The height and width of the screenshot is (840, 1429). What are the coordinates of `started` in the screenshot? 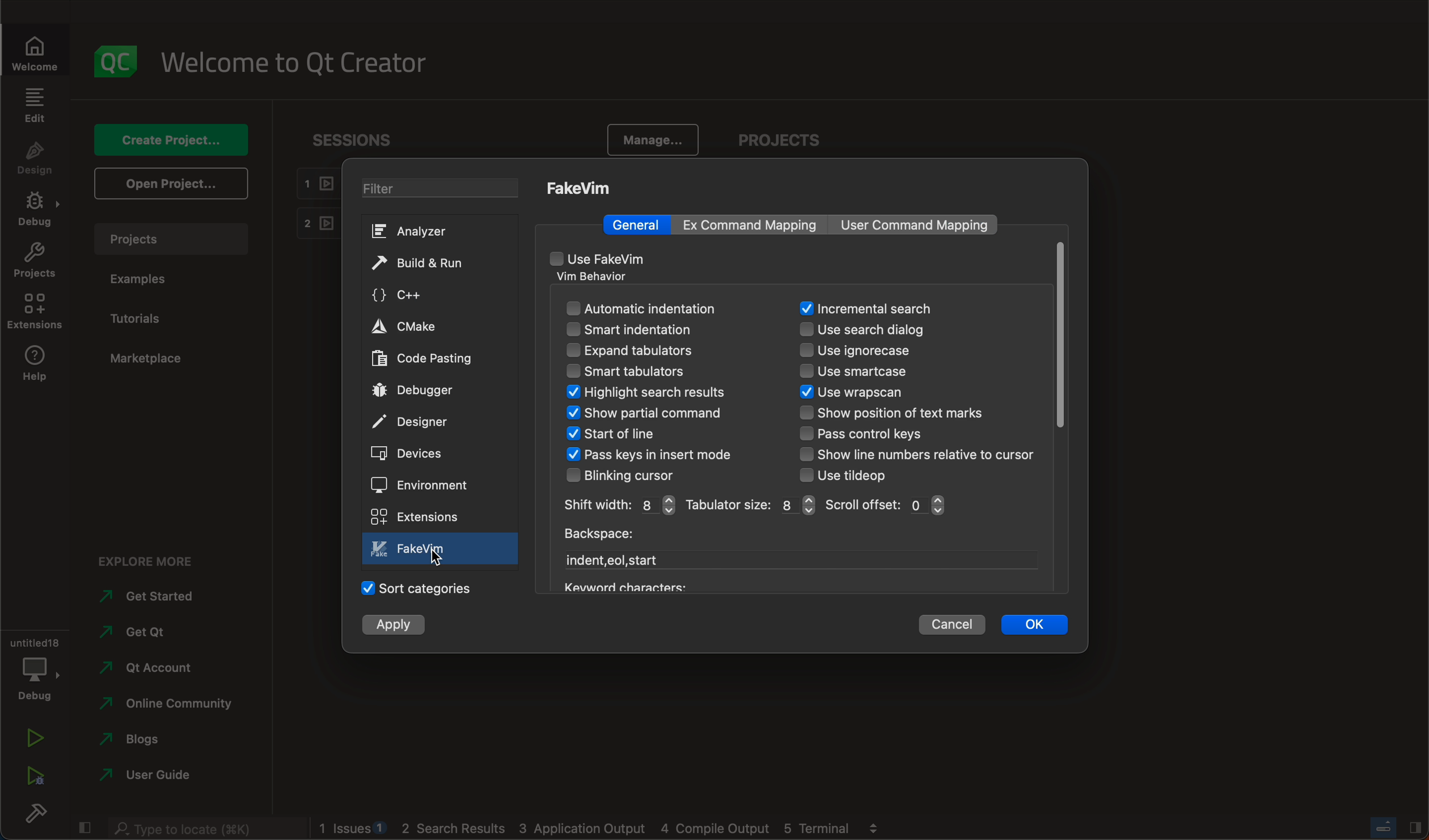 It's located at (160, 596).